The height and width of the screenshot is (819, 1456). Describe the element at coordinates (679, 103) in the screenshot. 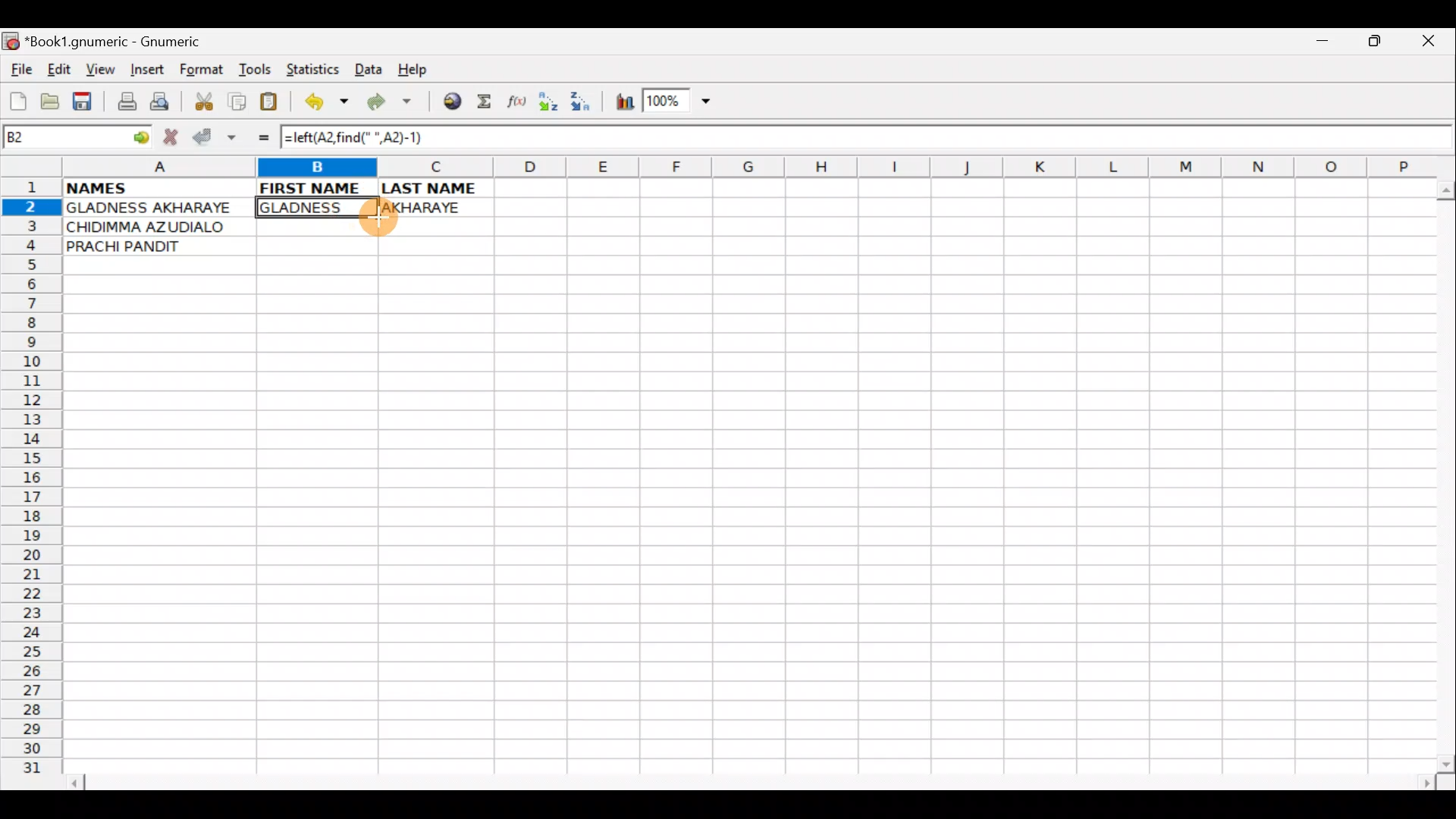

I see `Zoom` at that location.